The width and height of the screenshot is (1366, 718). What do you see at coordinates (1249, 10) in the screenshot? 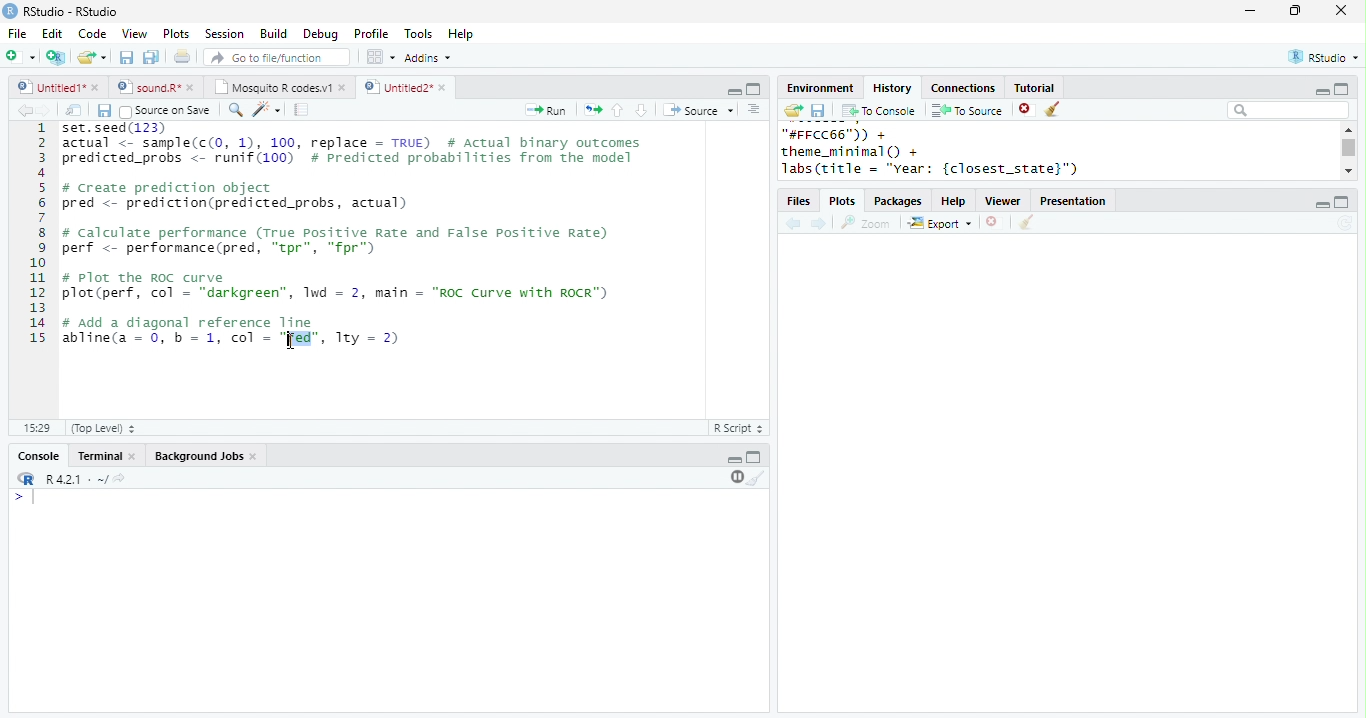
I see `minimize` at bounding box center [1249, 10].